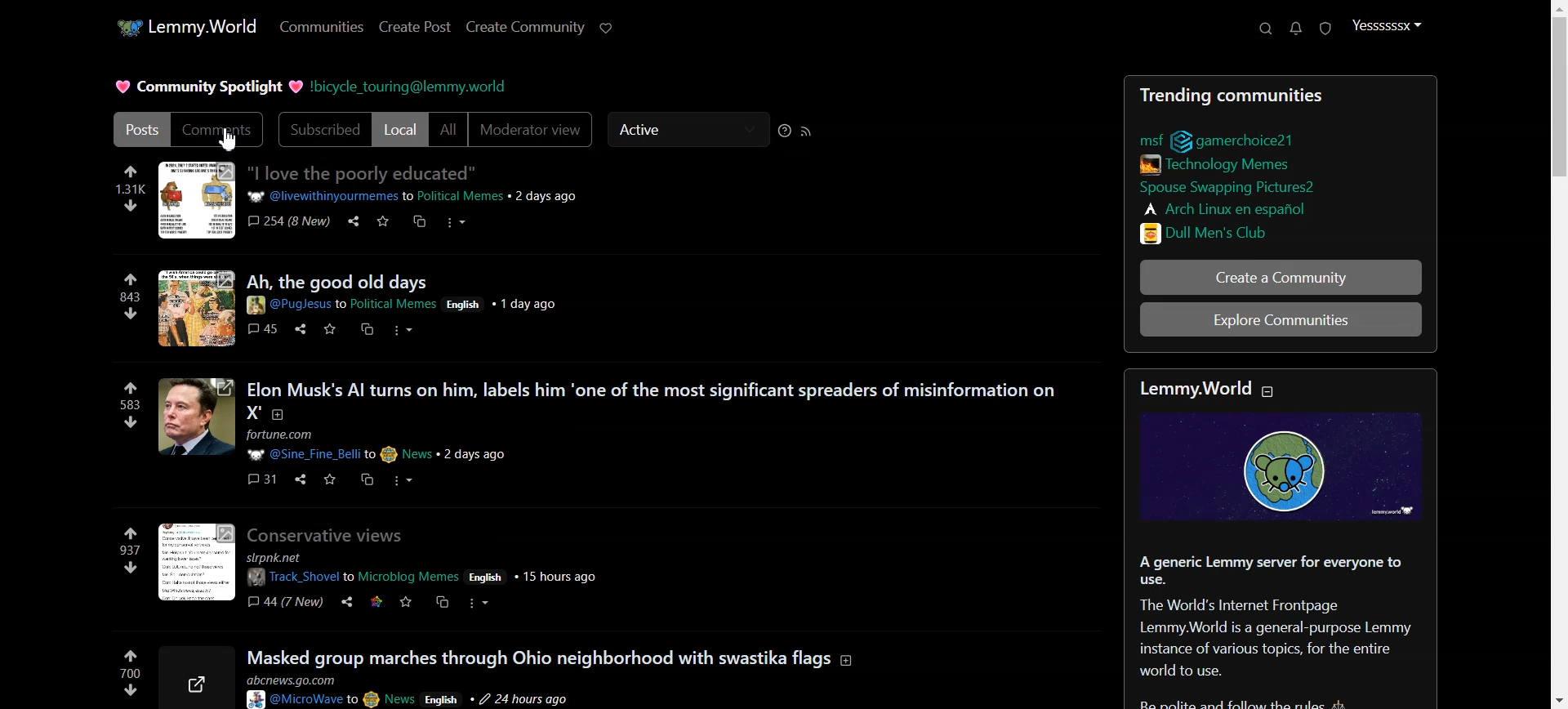 This screenshot has height=709, width=1568. I want to click on upvote, so click(131, 654).